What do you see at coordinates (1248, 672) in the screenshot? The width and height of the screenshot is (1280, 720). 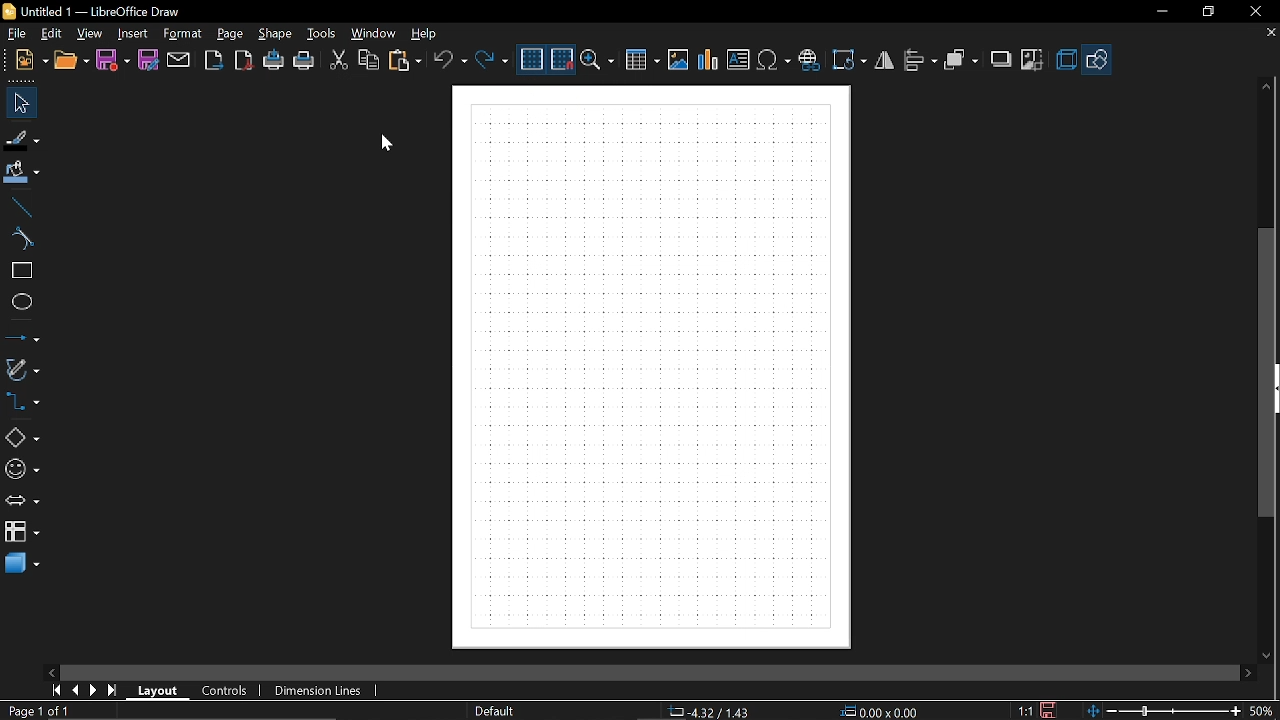 I see `move right` at bounding box center [1248, 672].